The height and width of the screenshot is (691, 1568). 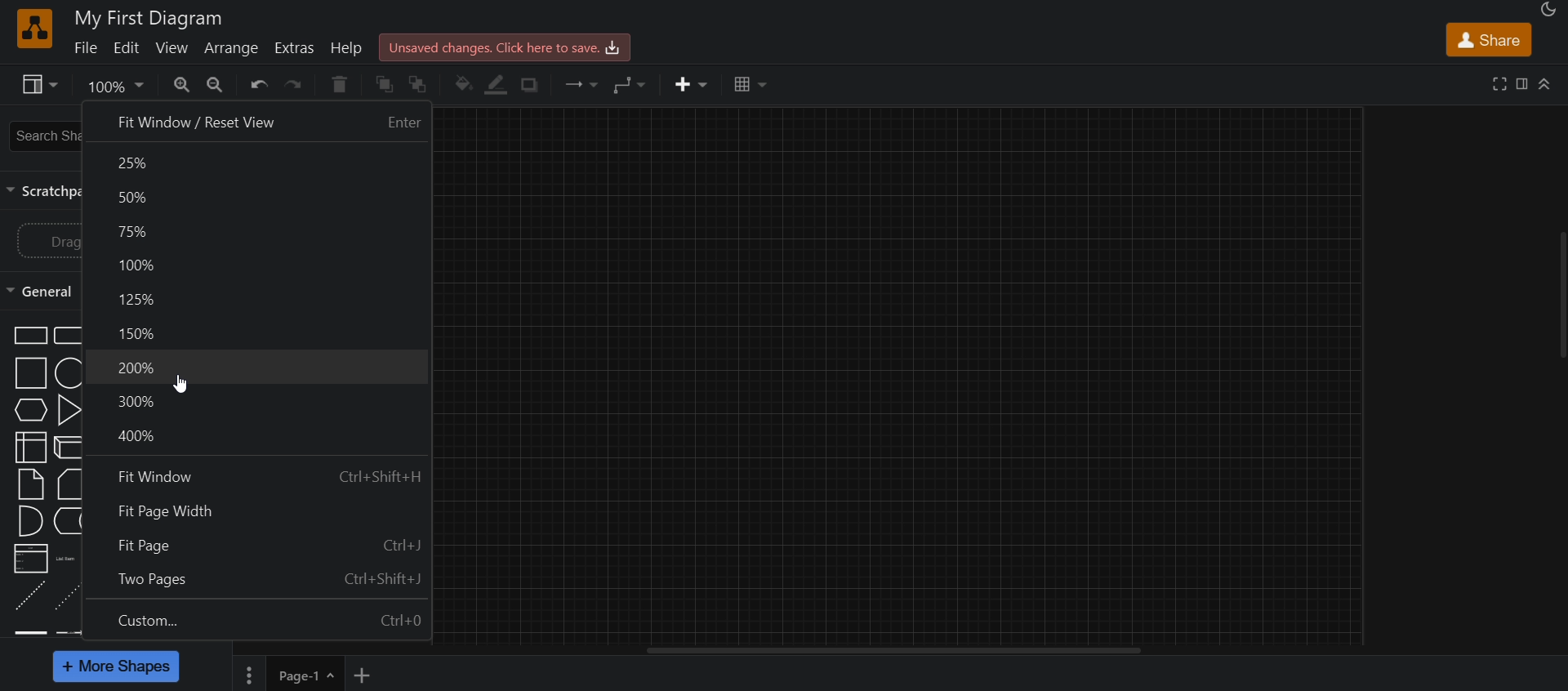 I want to click on insert, so click(x=691, y=84).